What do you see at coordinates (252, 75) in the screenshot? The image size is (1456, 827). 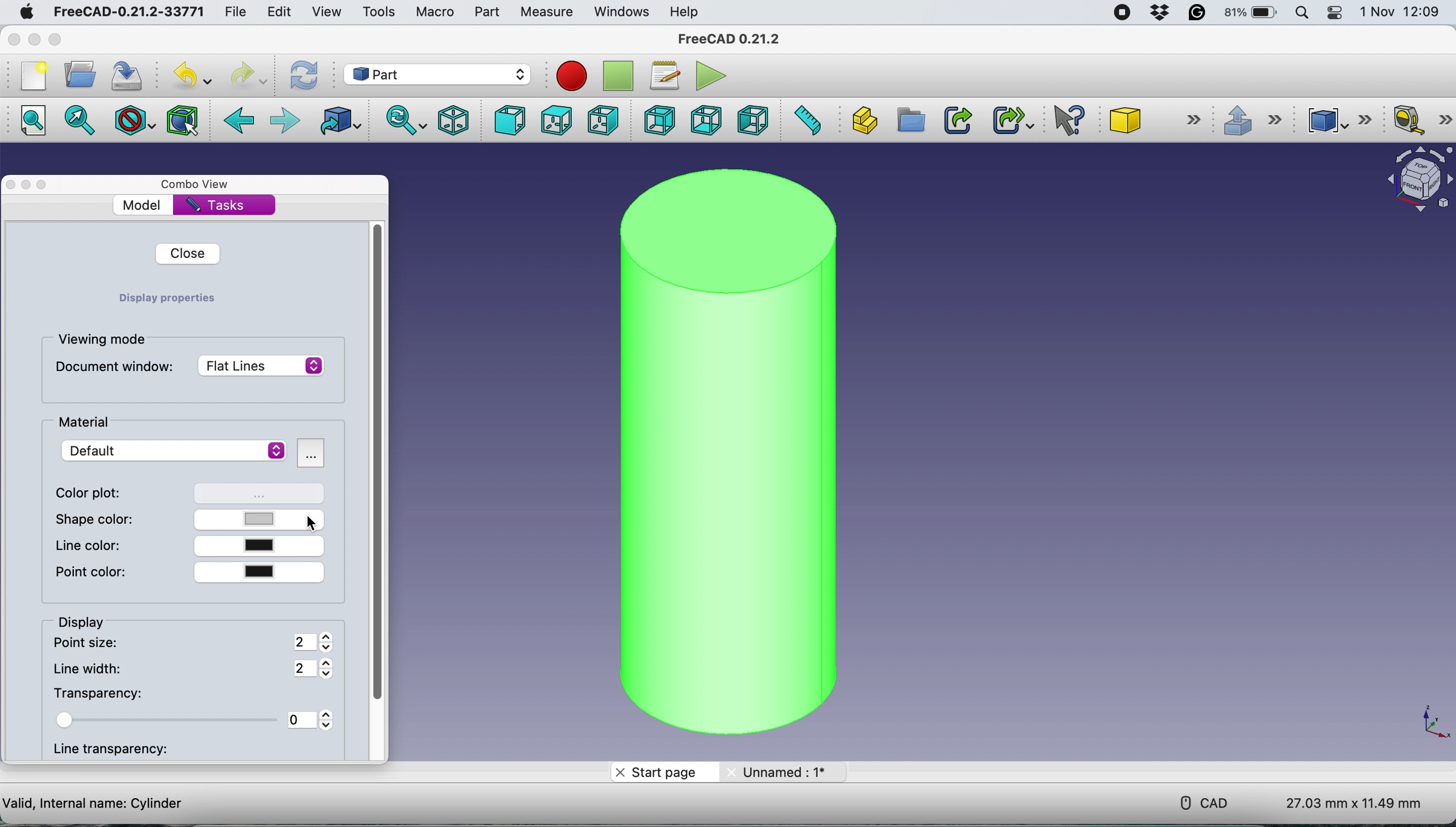 I see `redo` at bounding box center [252, 75].